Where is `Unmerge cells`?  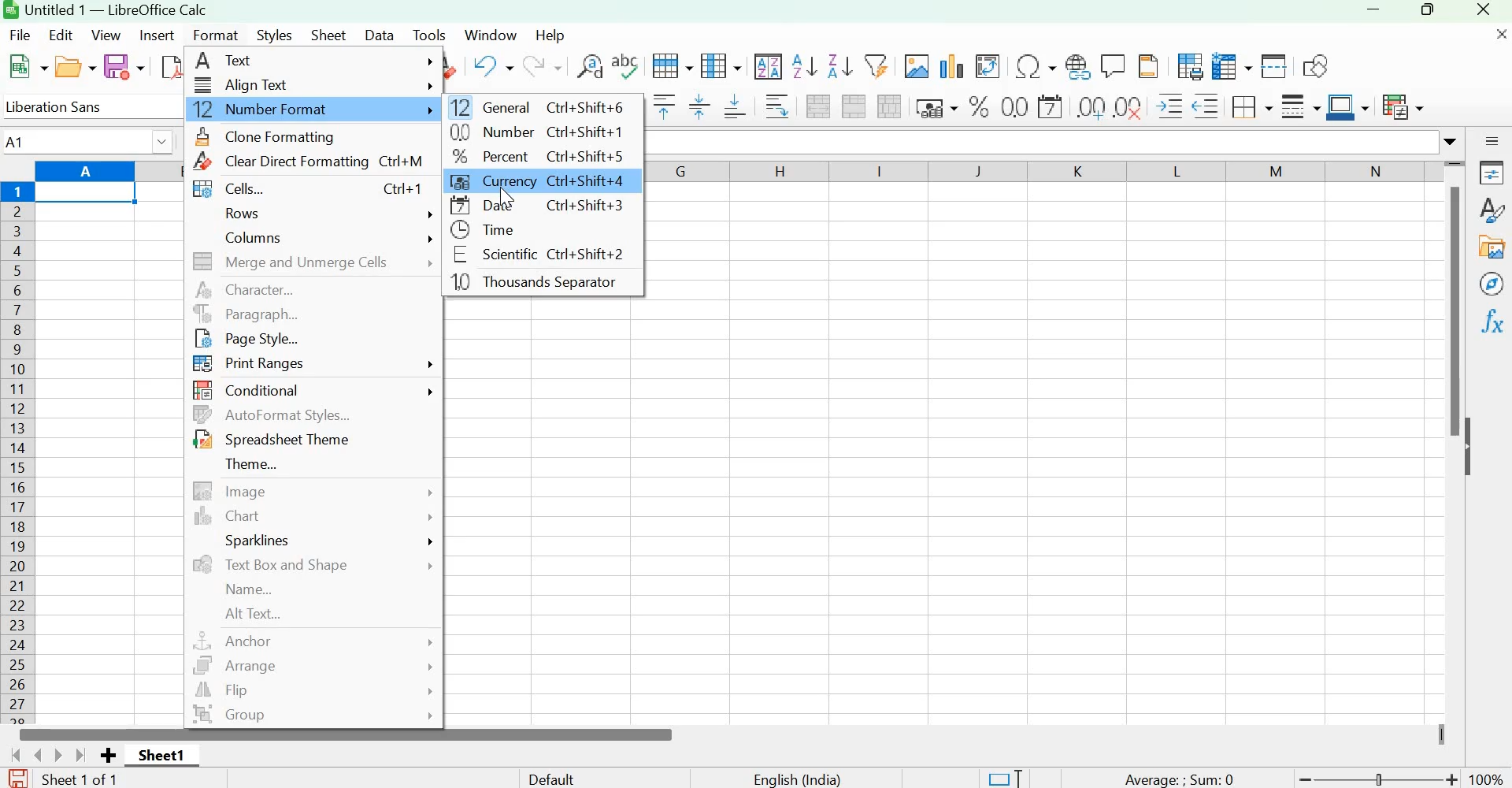 Unmerge cells is located at coordinates (889, 106).